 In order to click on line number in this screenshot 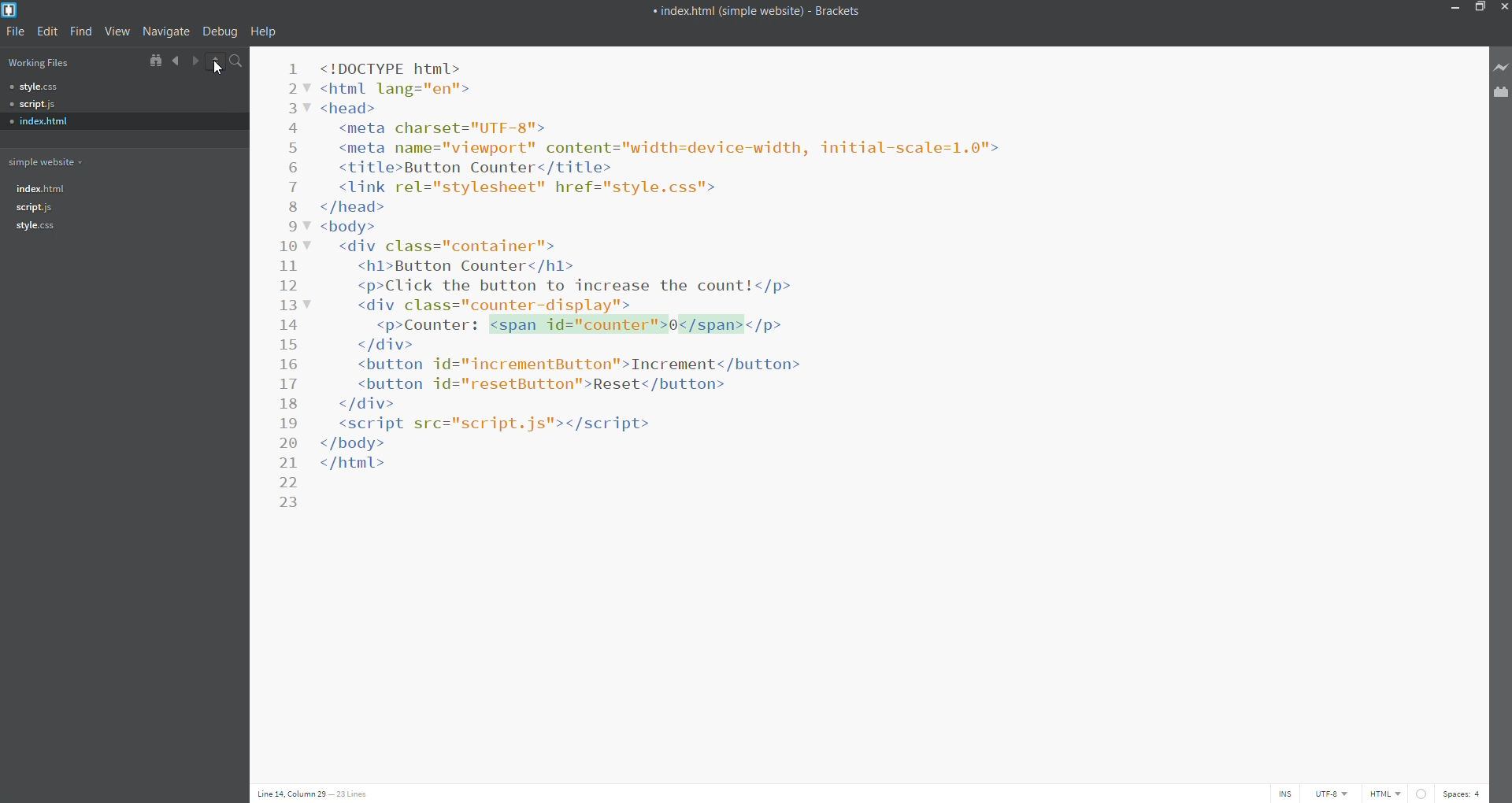, I will do `click(291, 287)`.